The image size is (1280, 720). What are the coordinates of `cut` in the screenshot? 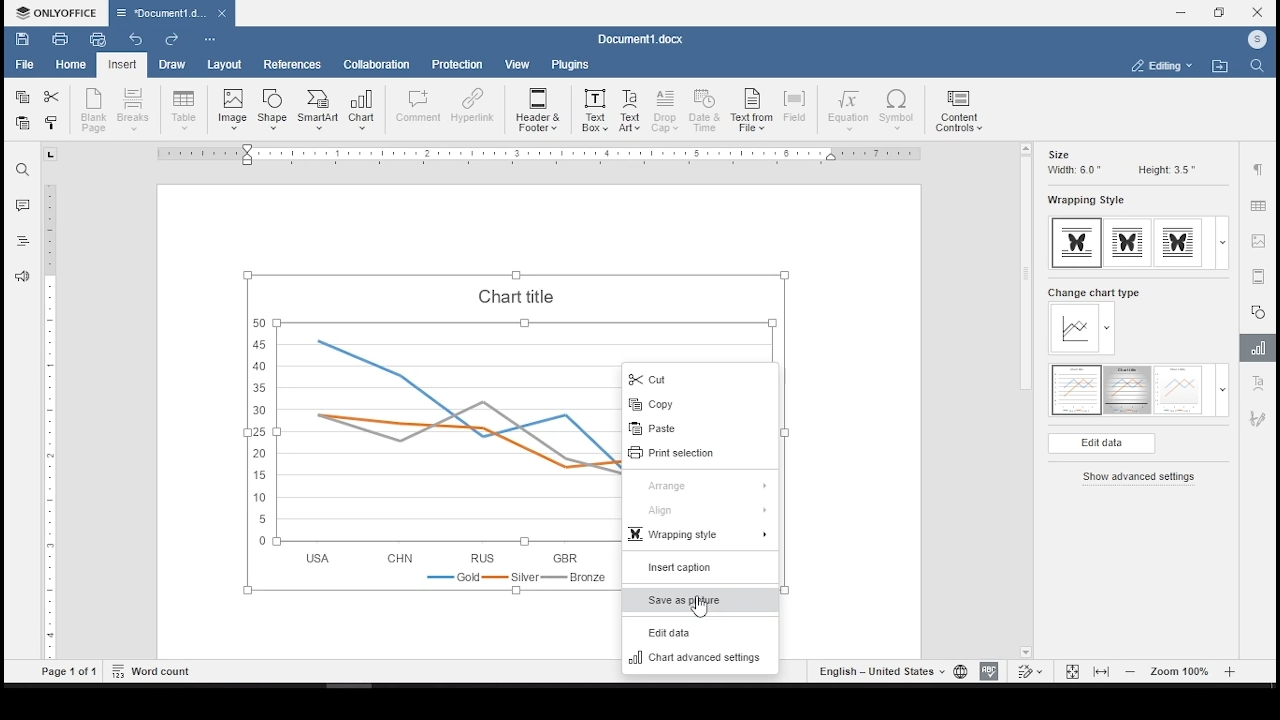 It's located at (702, 378).